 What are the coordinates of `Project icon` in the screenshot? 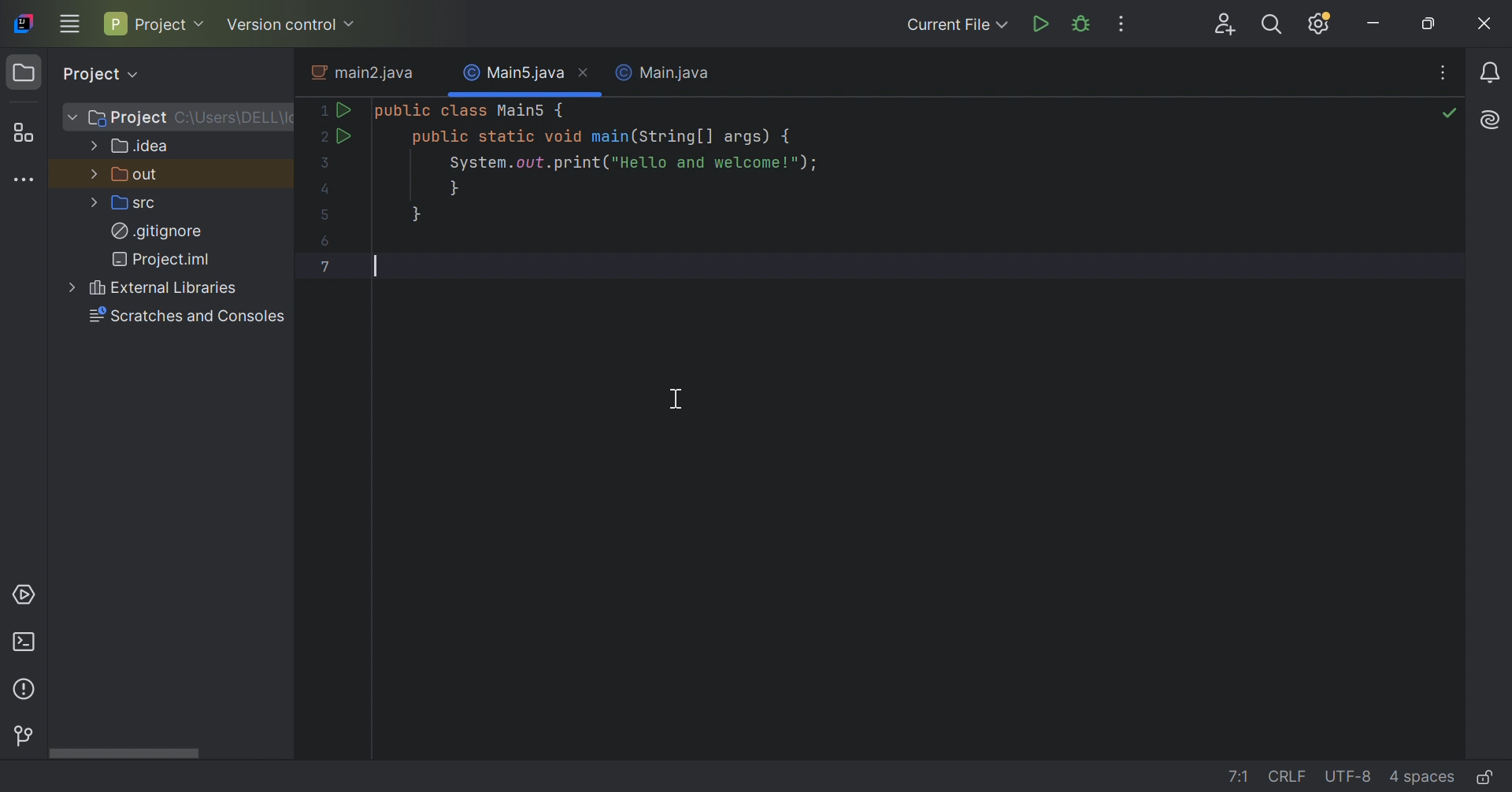 It's located at (24, 72).